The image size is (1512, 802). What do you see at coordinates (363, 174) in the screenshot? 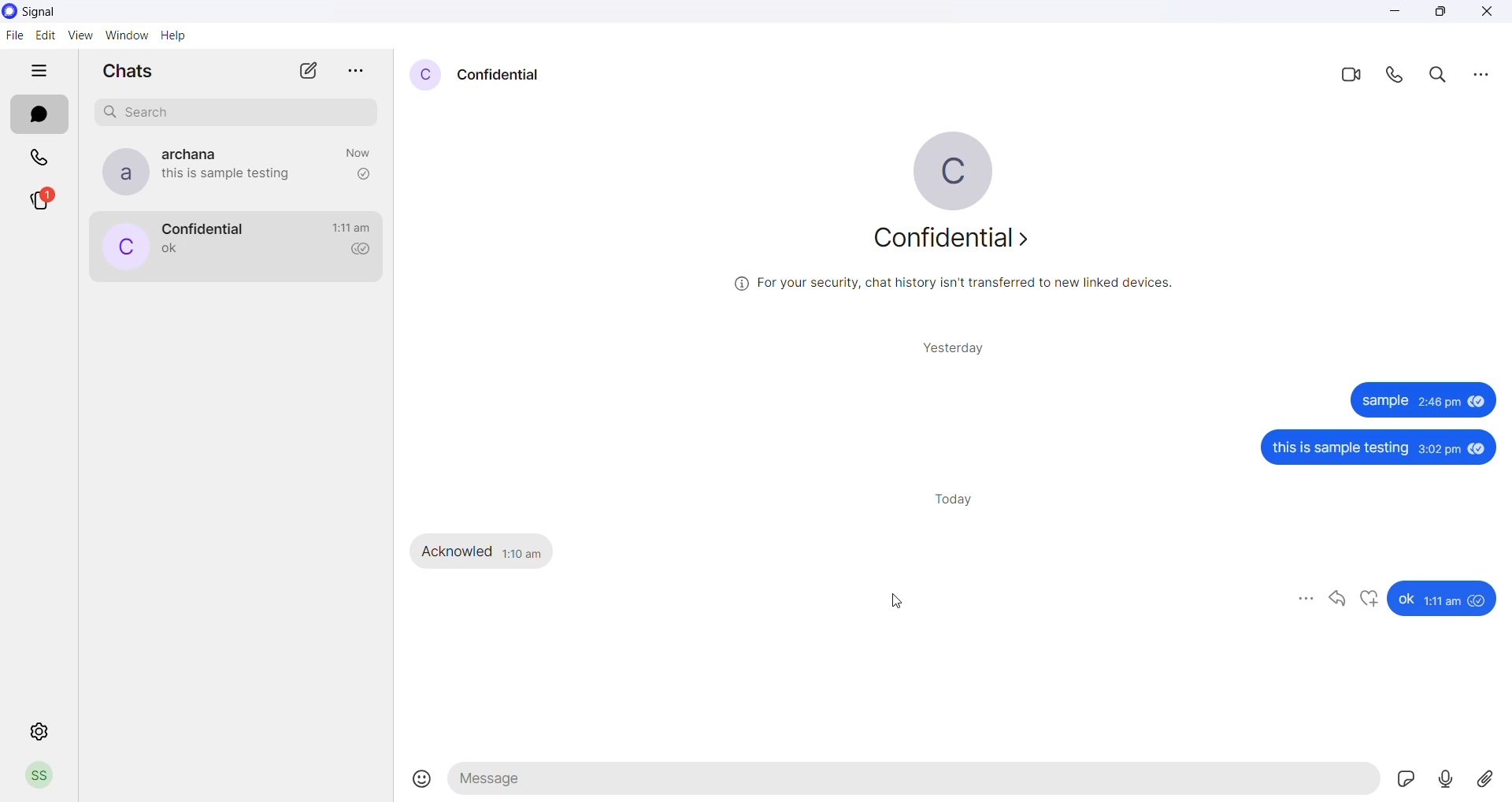
I see `read recipient` at bounding box center [363, 174].